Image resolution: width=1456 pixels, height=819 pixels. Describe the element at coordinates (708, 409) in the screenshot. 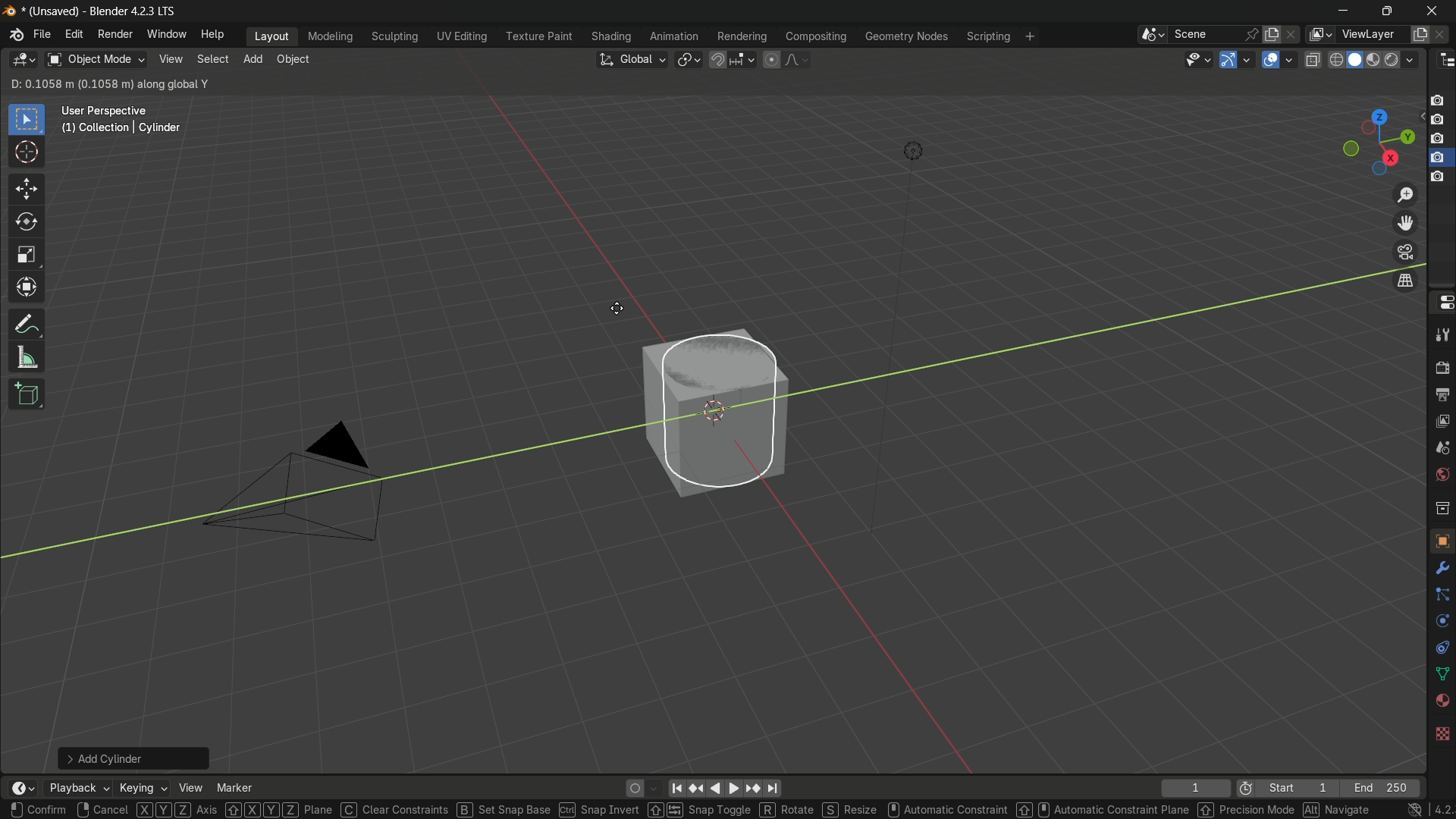

I see `cube` at that location.